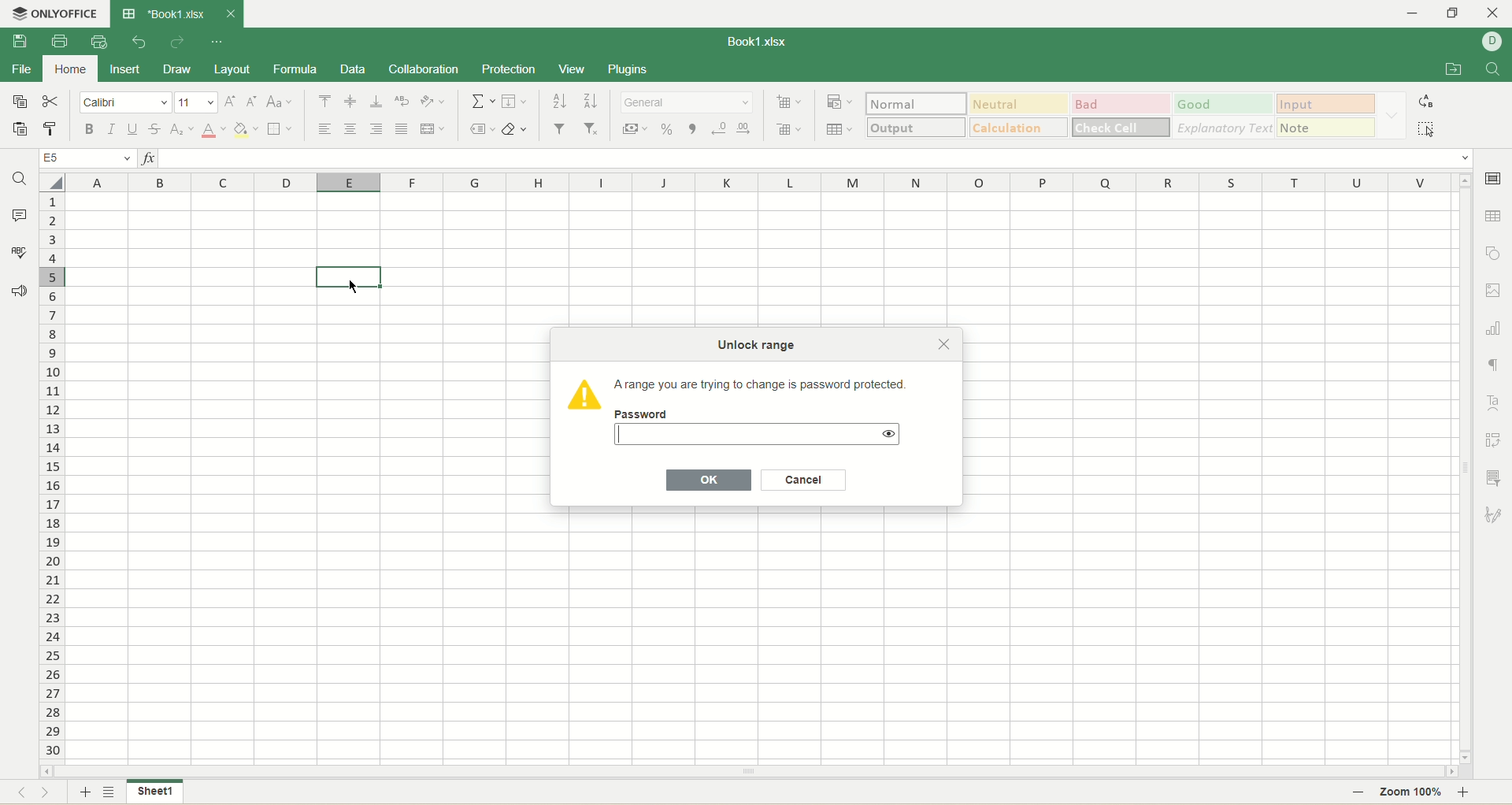  What do you see at coordinates (246, 130) in the screenshot?
I see `background color` at bounding box center [246, 130].